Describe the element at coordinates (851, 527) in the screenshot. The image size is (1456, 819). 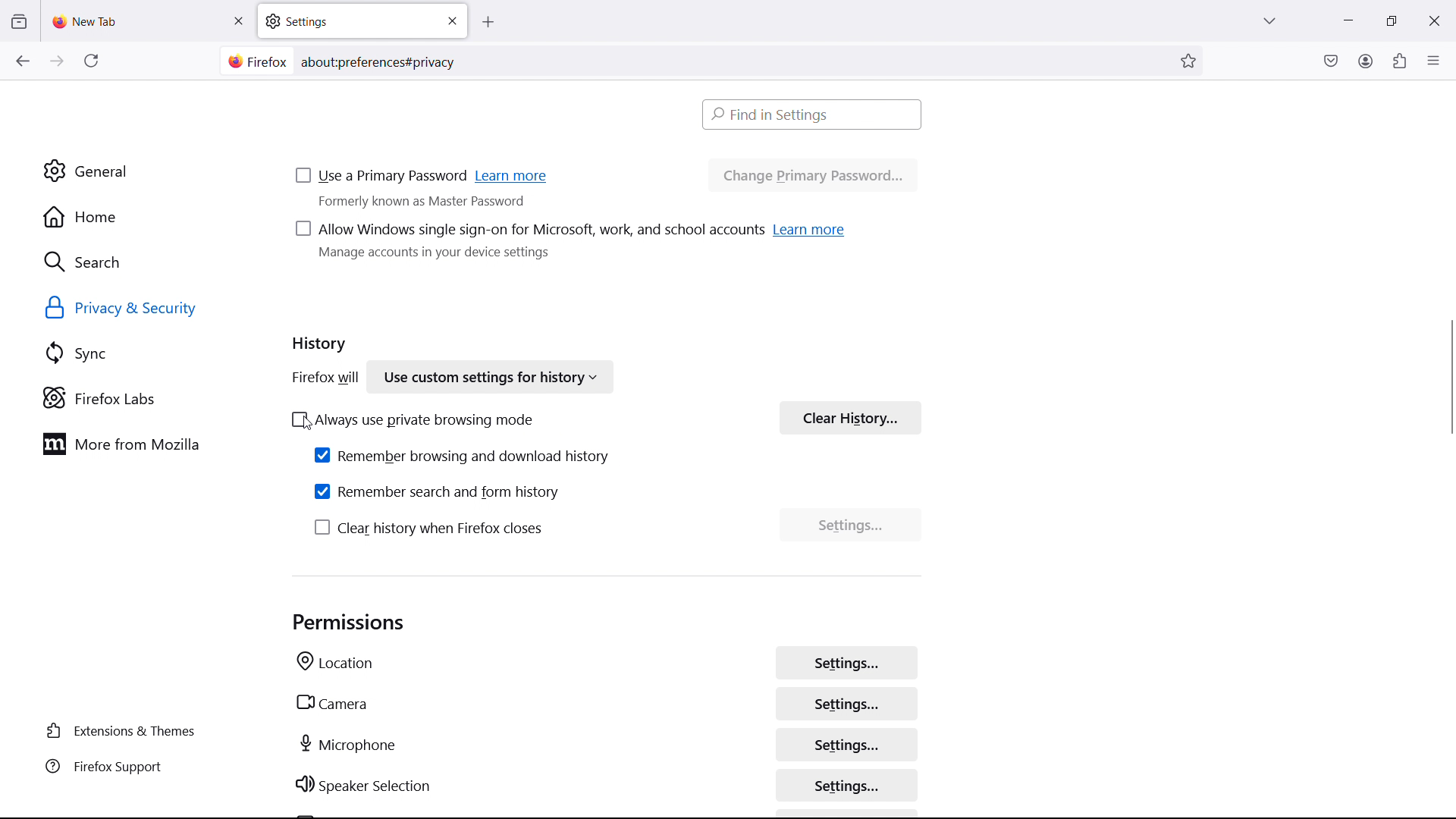
I see `settings to clear history` at that location.